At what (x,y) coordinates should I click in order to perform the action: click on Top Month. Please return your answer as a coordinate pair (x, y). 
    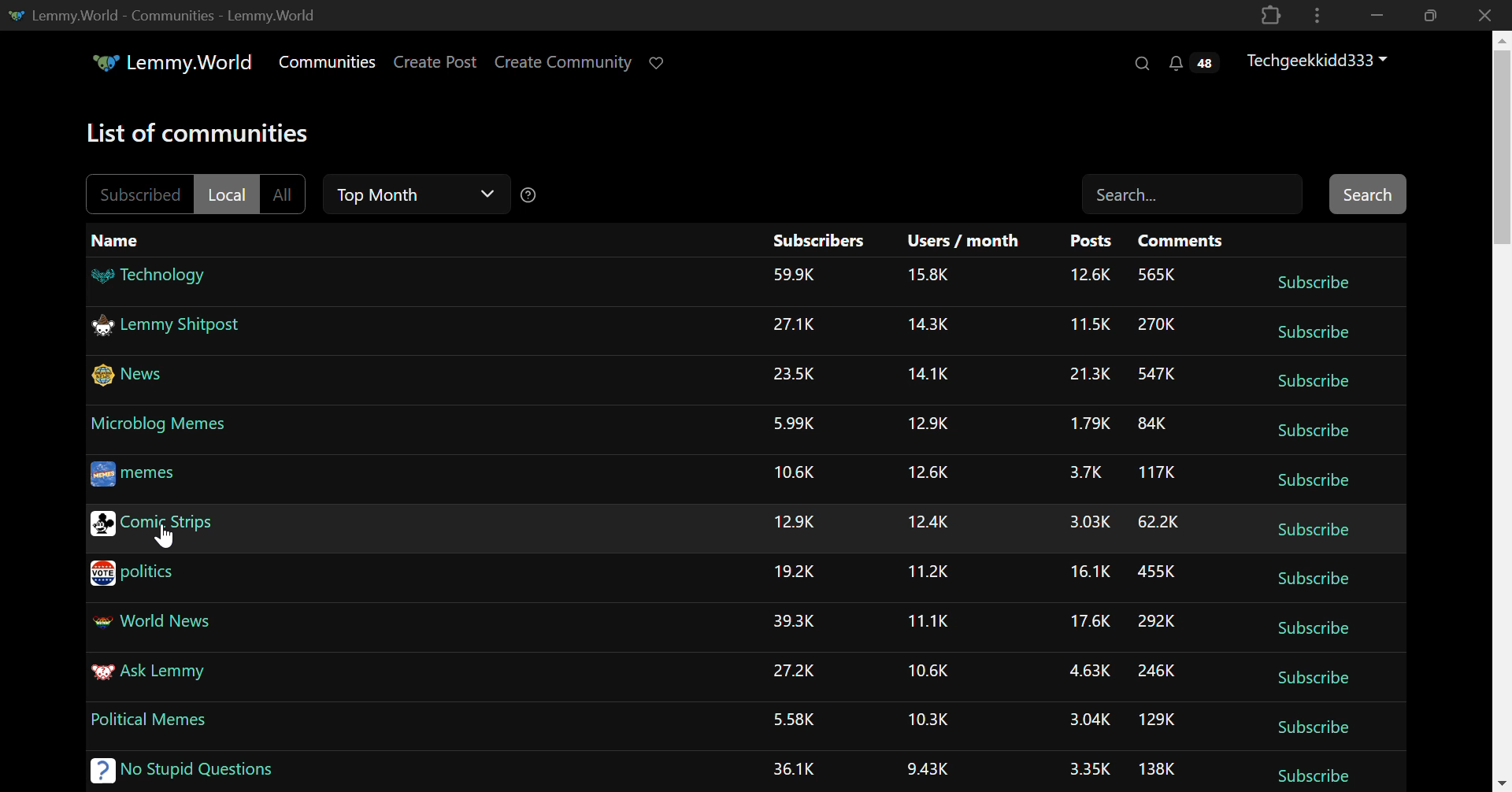
    Looking at the image, I should click on (415, 193).